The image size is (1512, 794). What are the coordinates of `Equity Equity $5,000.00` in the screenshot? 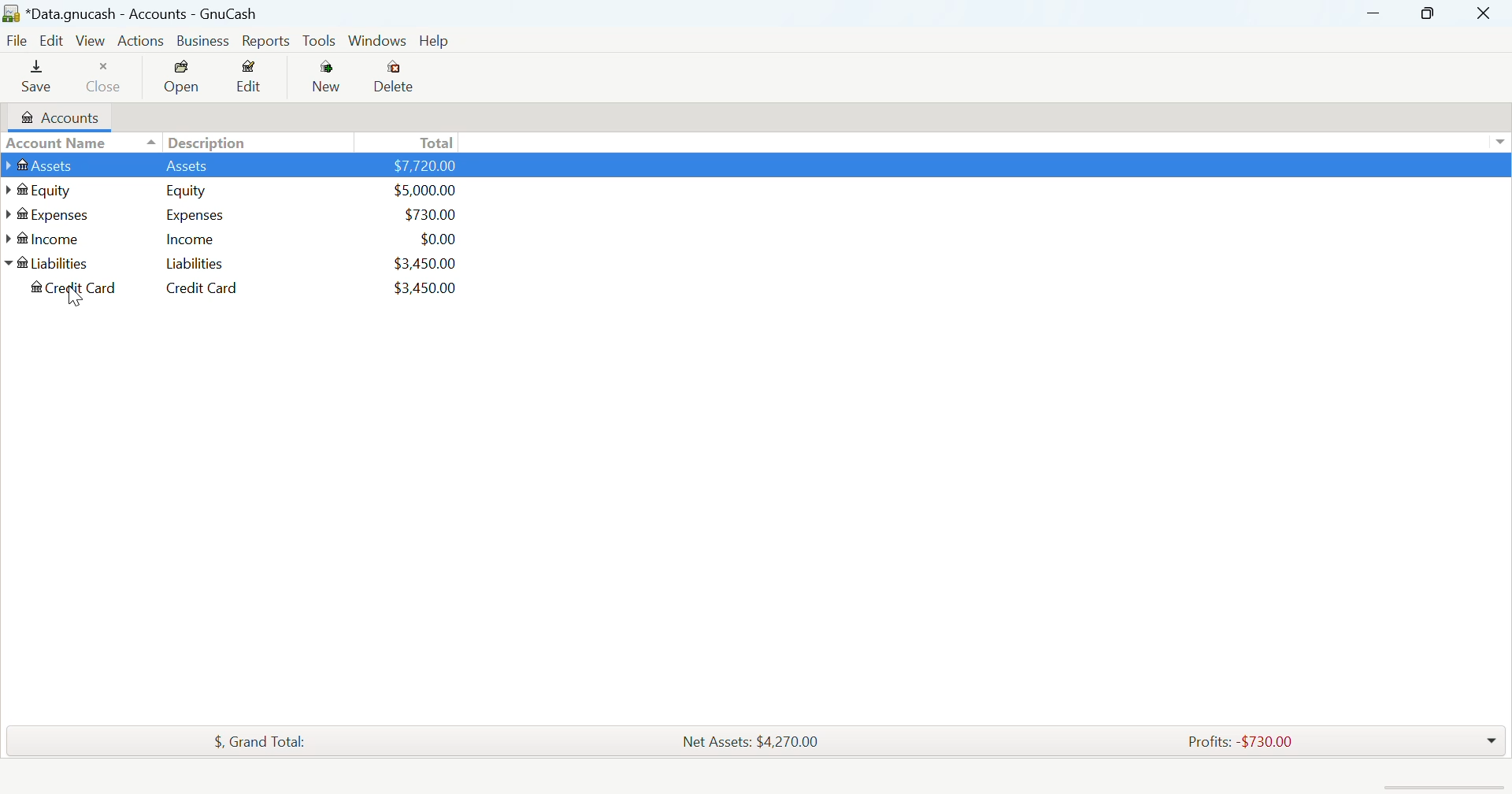 It's located at (250, 189).